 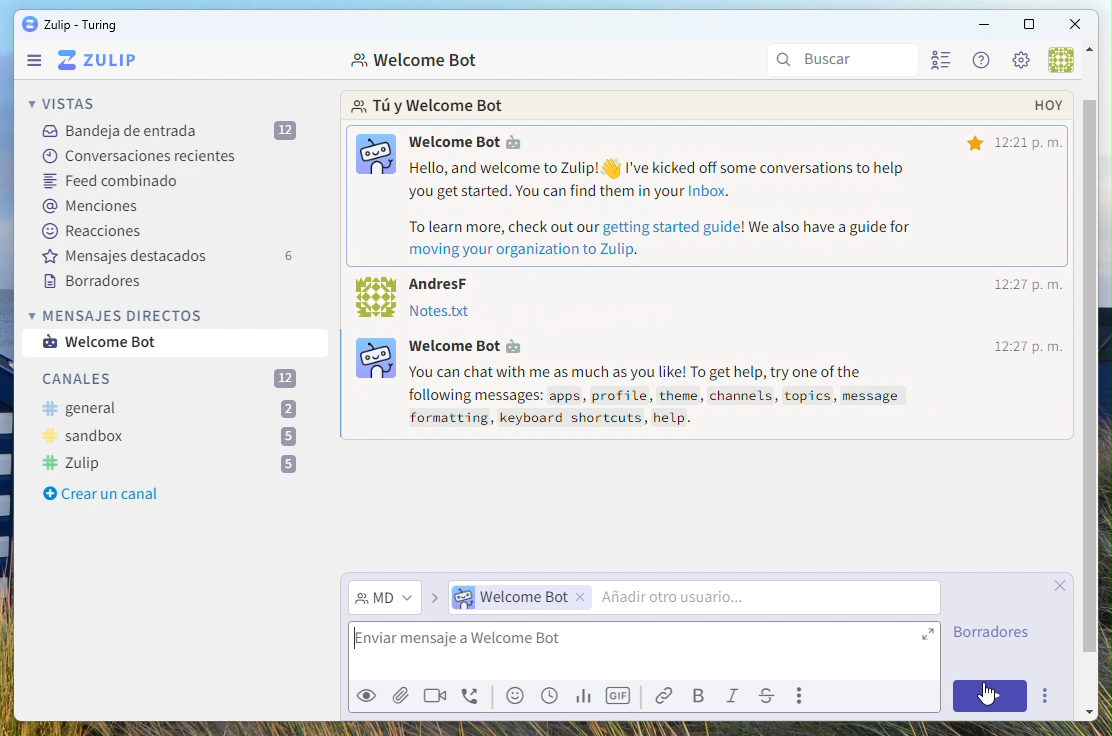 What do you see at coordinates (139, 154) in the screenshot?
I see `Recent conversations` at bounding box center [139, 154].